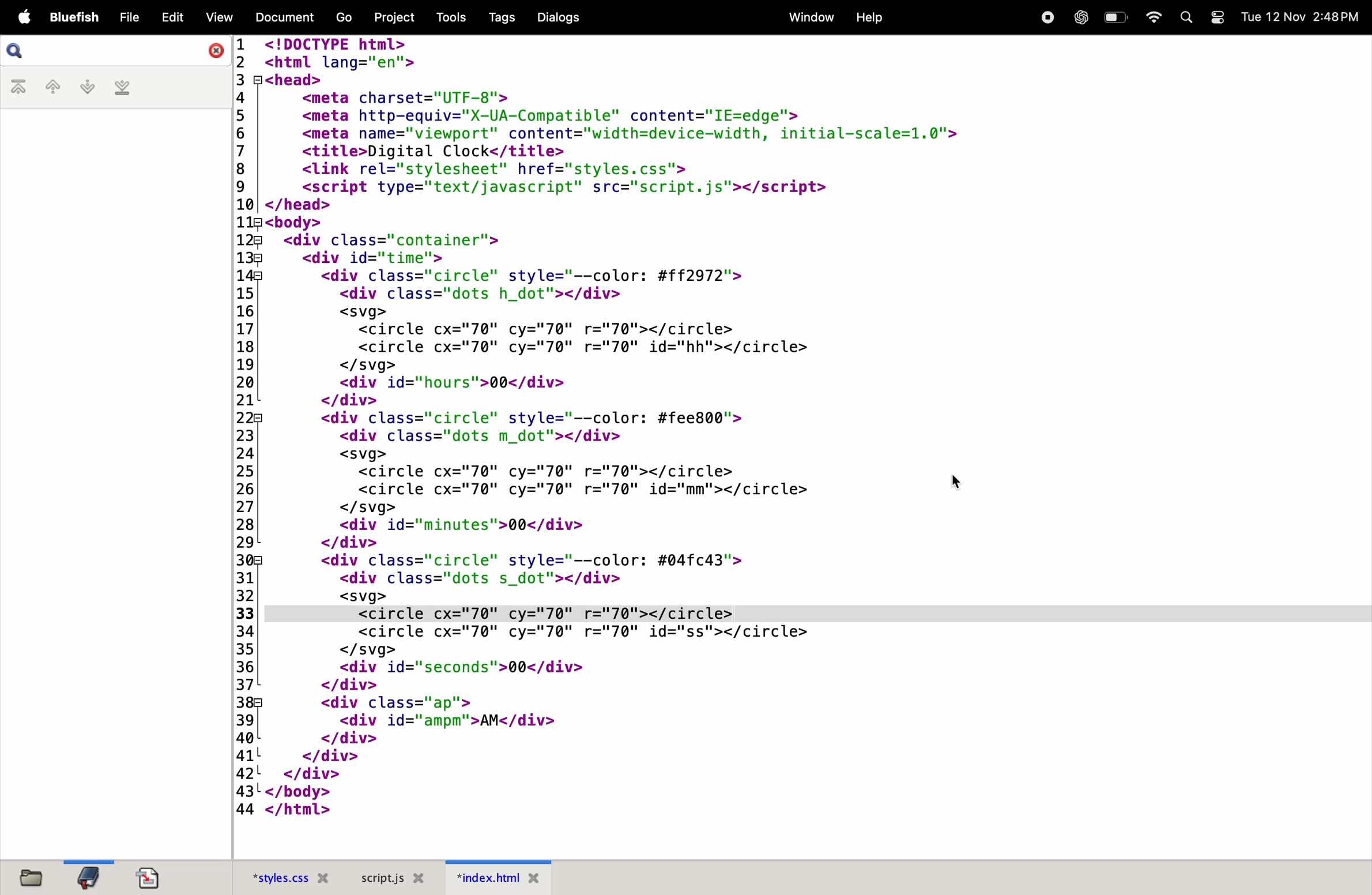 The width and height of the screenshot is (1372, 895). Describe the element at coordinates (127, 17) in the screenshot. I see `file` at that location.